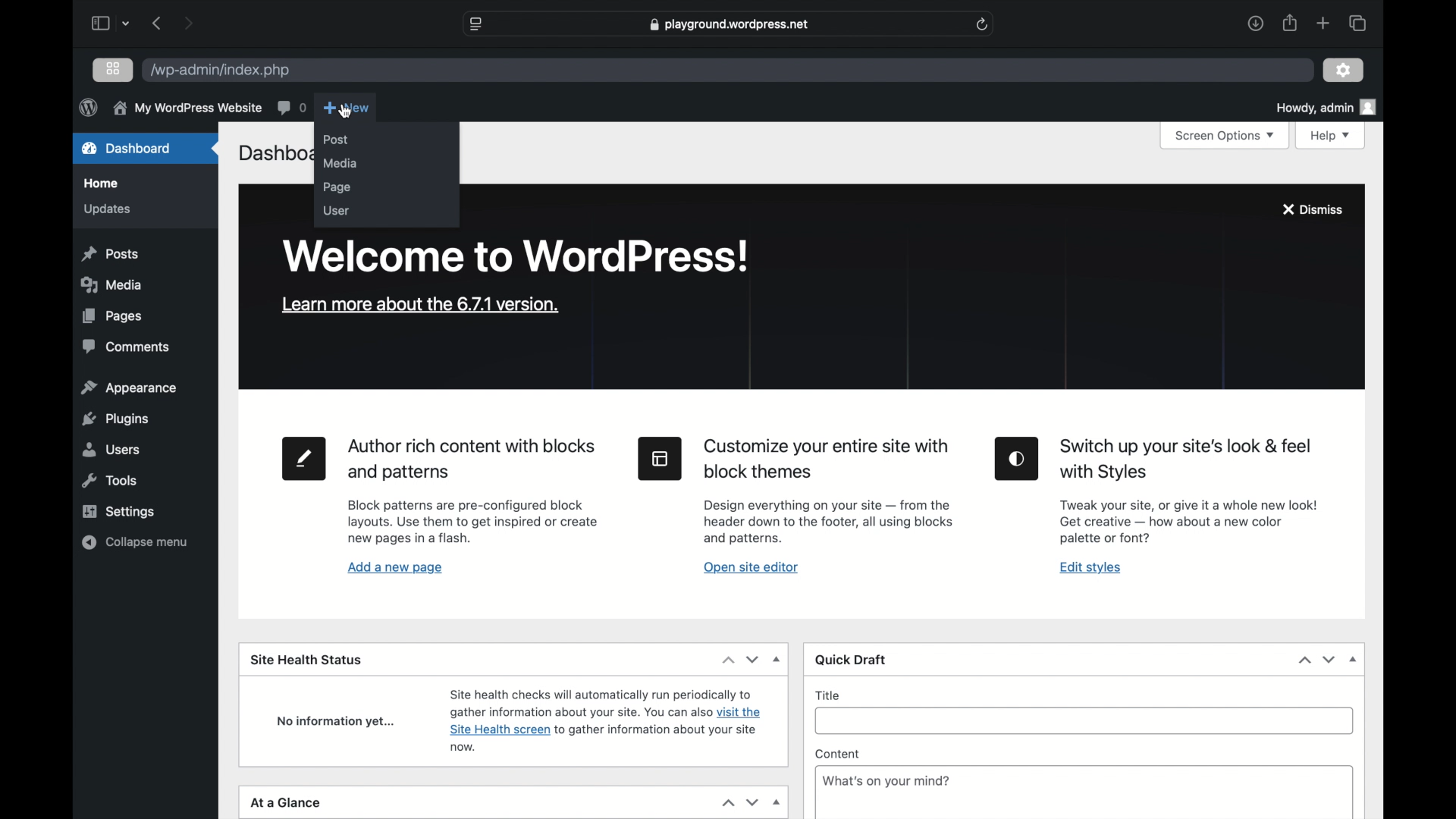 Image resolution: width=1456 pixels, height=819 pixels. Describe the element at coordinates (740, 802) in the screenshot. I see `stepper buttons` at that location.